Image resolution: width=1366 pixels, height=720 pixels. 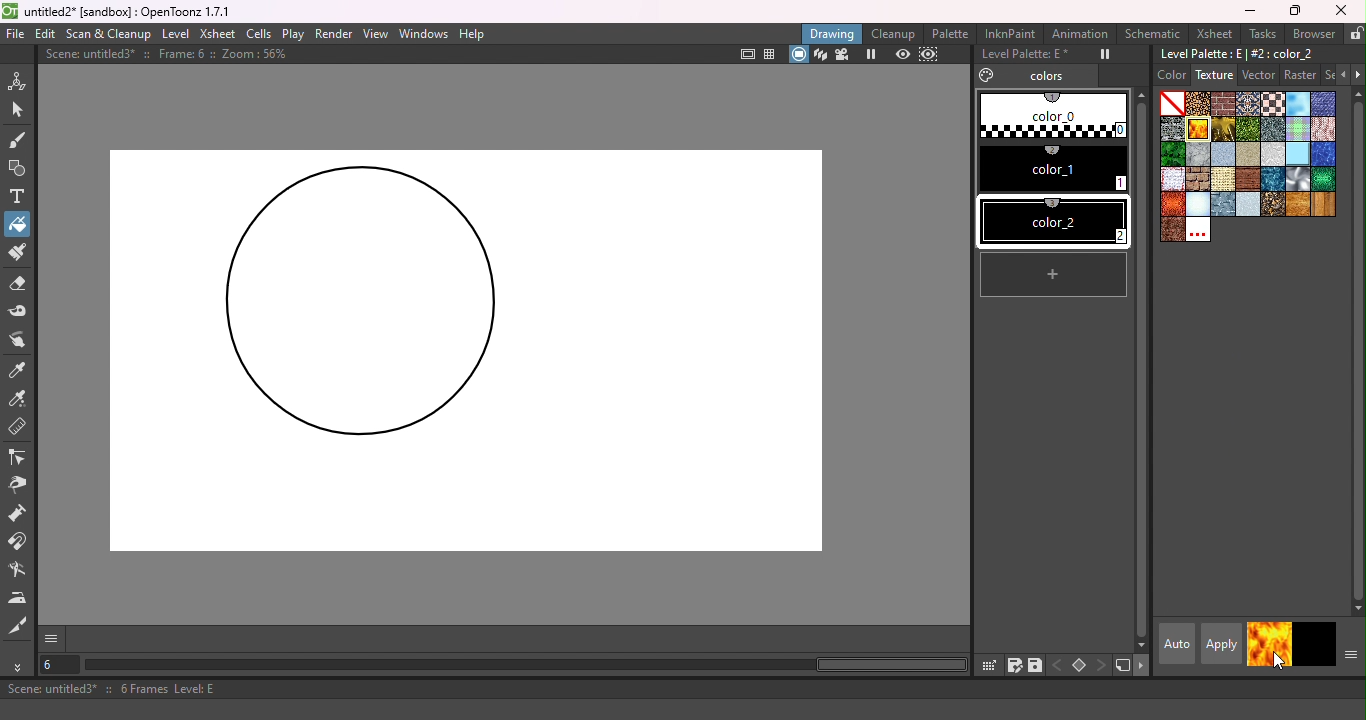 What do you see at coordinates (18, 627) in the screenshot?
I see `Cutter tool` at bounding box center [18, 627].